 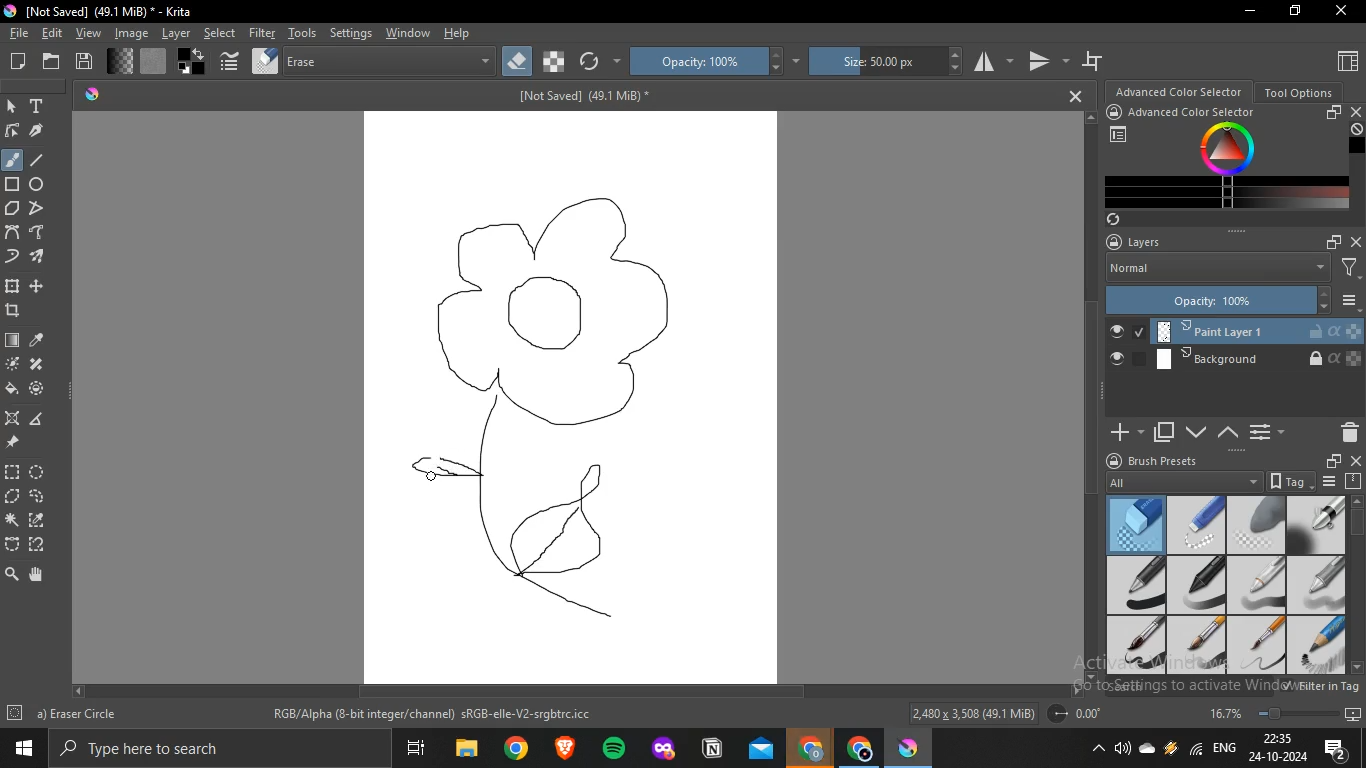 I want to click on basic 3 flow, so click(x=1257, y=584).